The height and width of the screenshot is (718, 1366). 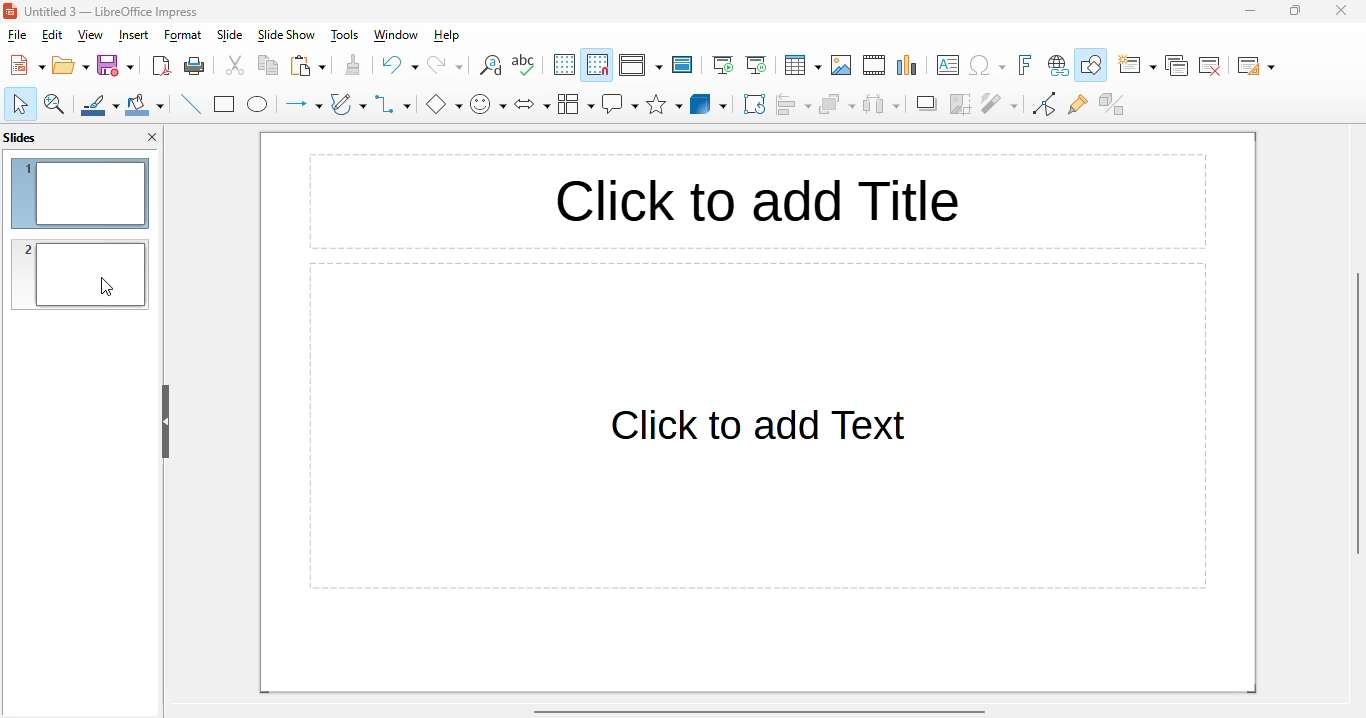 I want to click on insert fontwork text, so click(x=1026, y=66).